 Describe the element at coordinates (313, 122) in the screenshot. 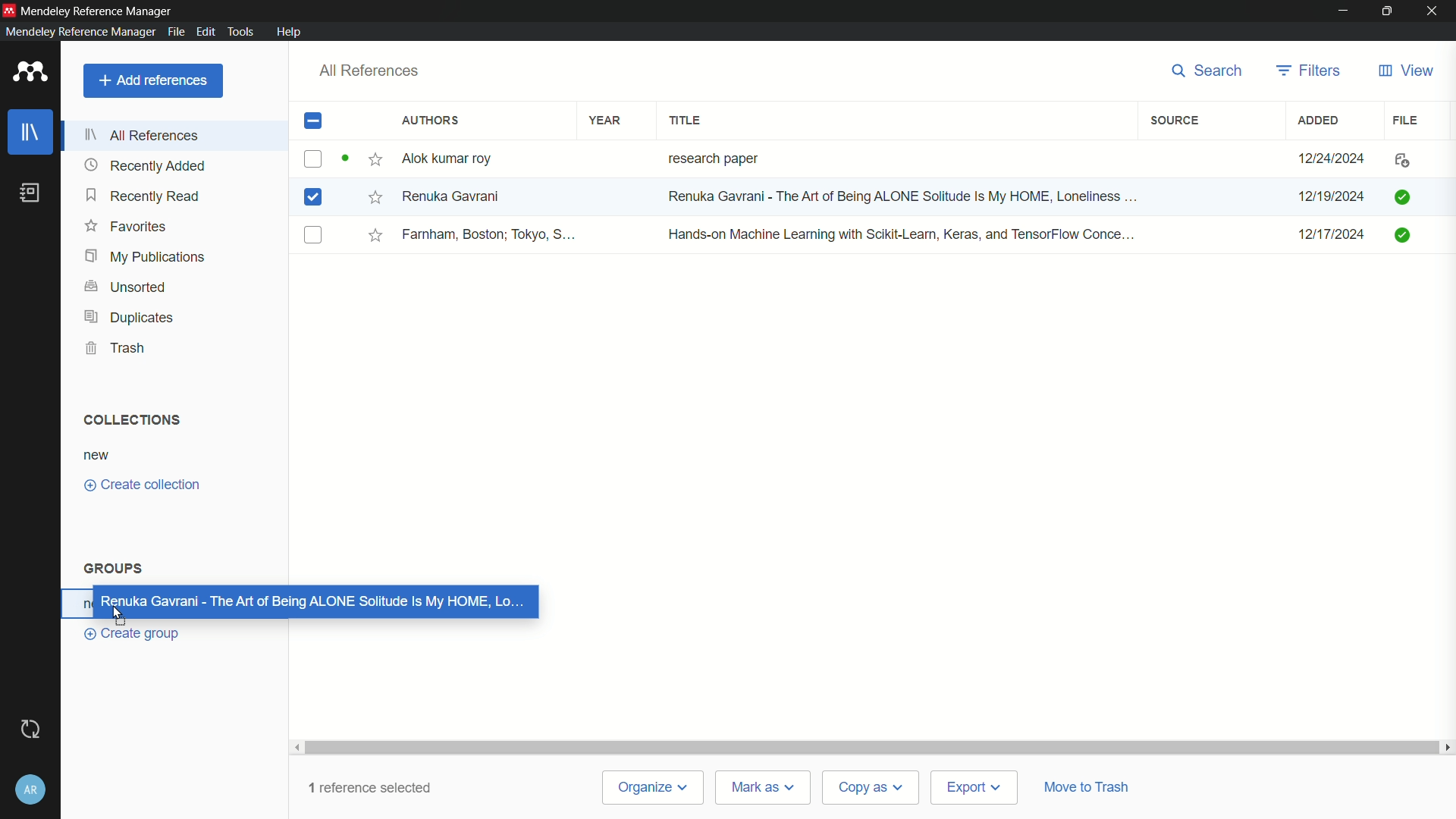

I see `check box` at that location.